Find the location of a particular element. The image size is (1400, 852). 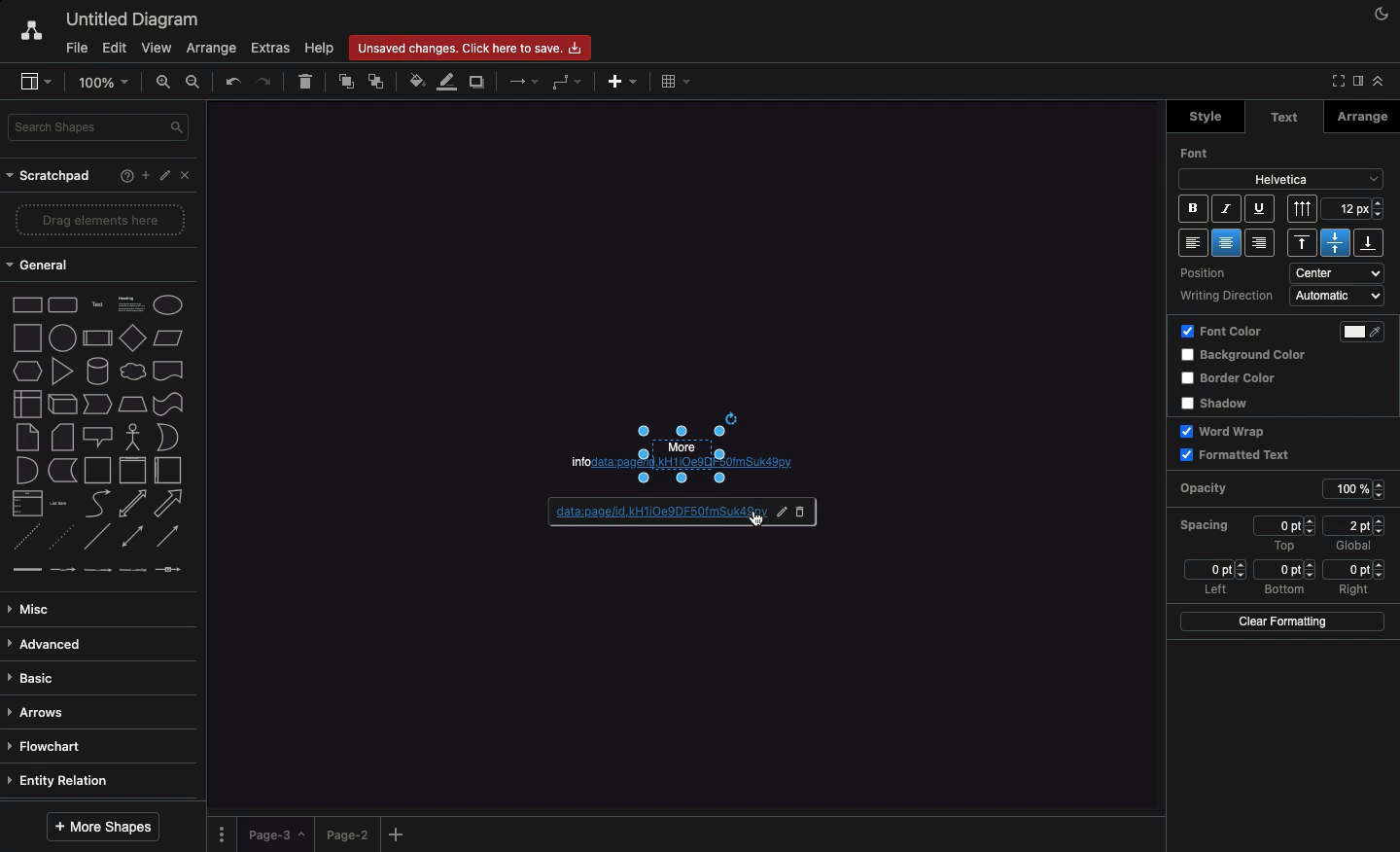

Entity relation is located at coordinates (61, 782).